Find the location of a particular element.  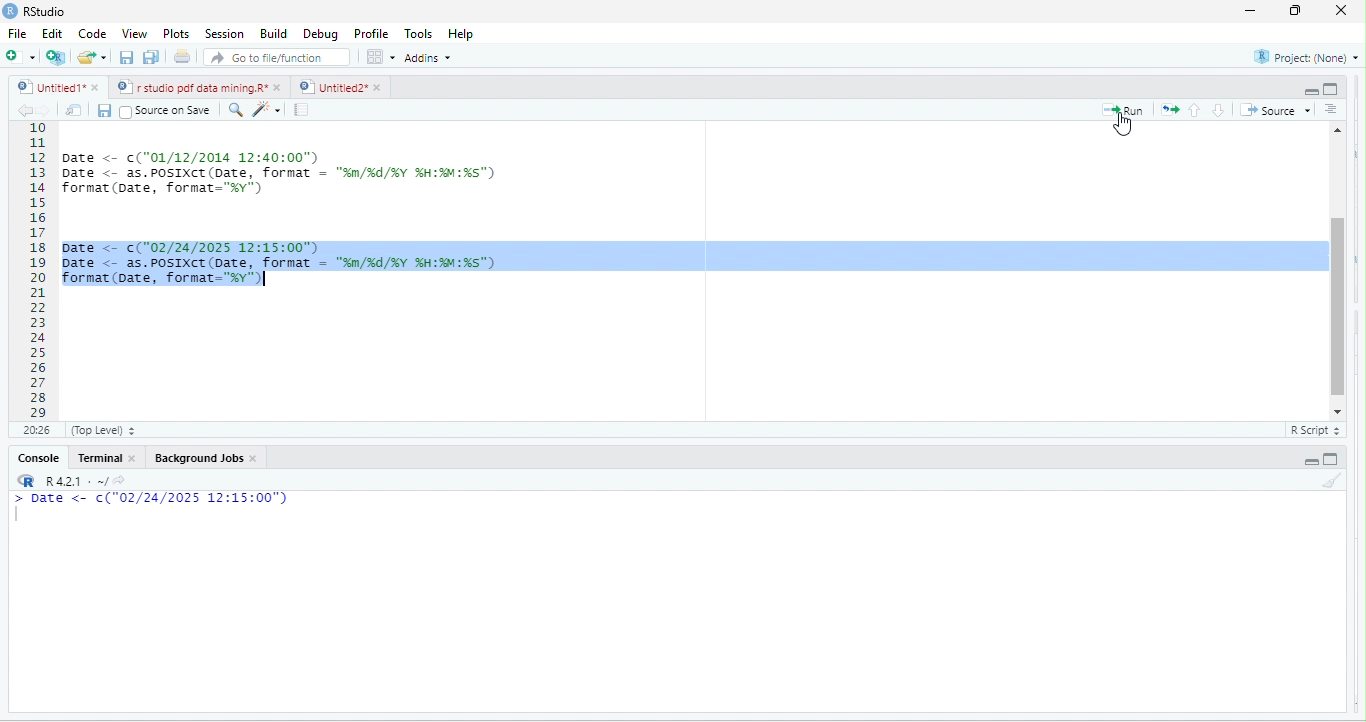

hide r script is located at coordinates (1310, 461).